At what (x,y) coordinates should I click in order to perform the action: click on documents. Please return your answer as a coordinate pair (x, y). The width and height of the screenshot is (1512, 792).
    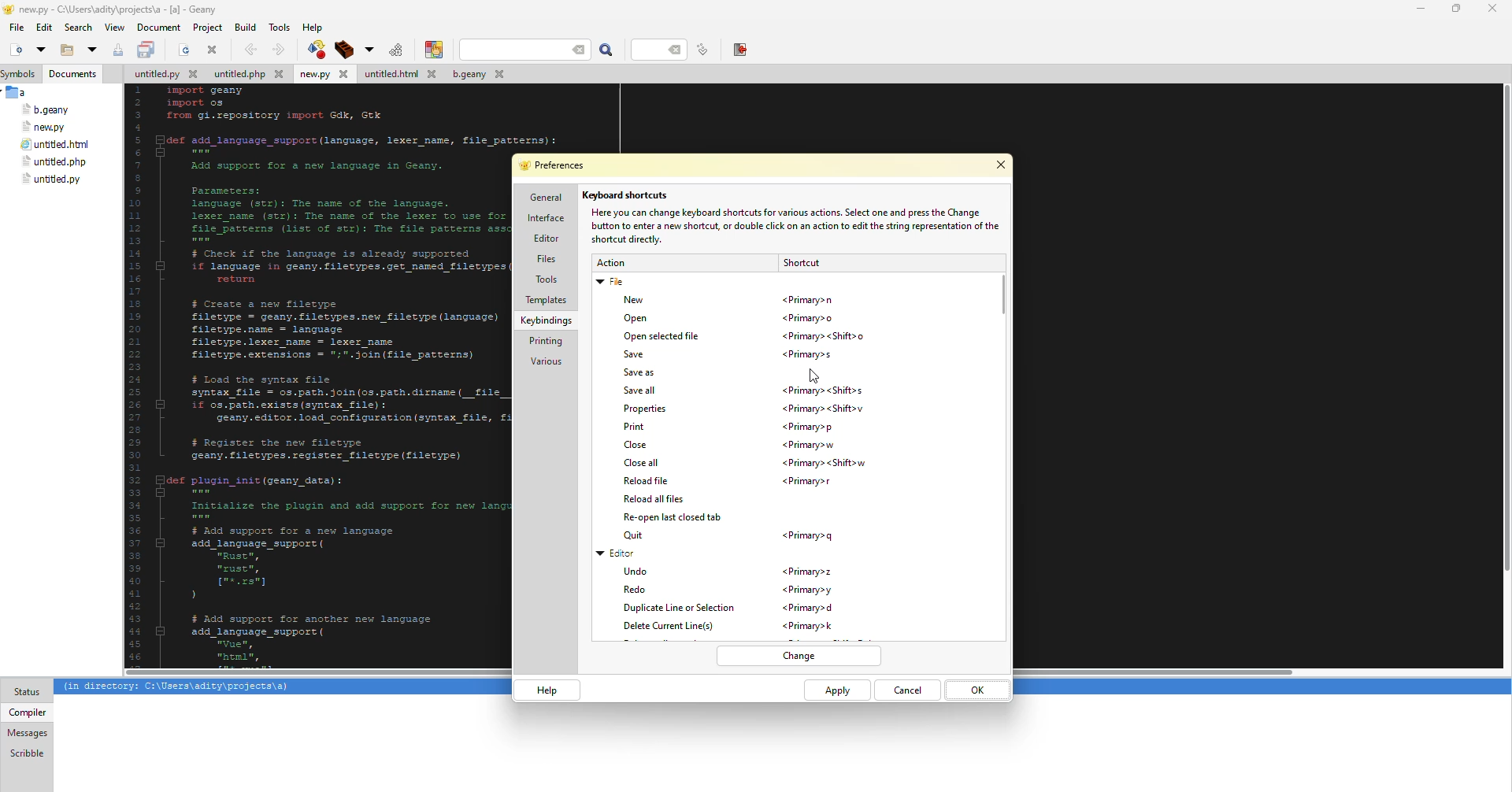
    Looking at the image, I should click on (74, 74).